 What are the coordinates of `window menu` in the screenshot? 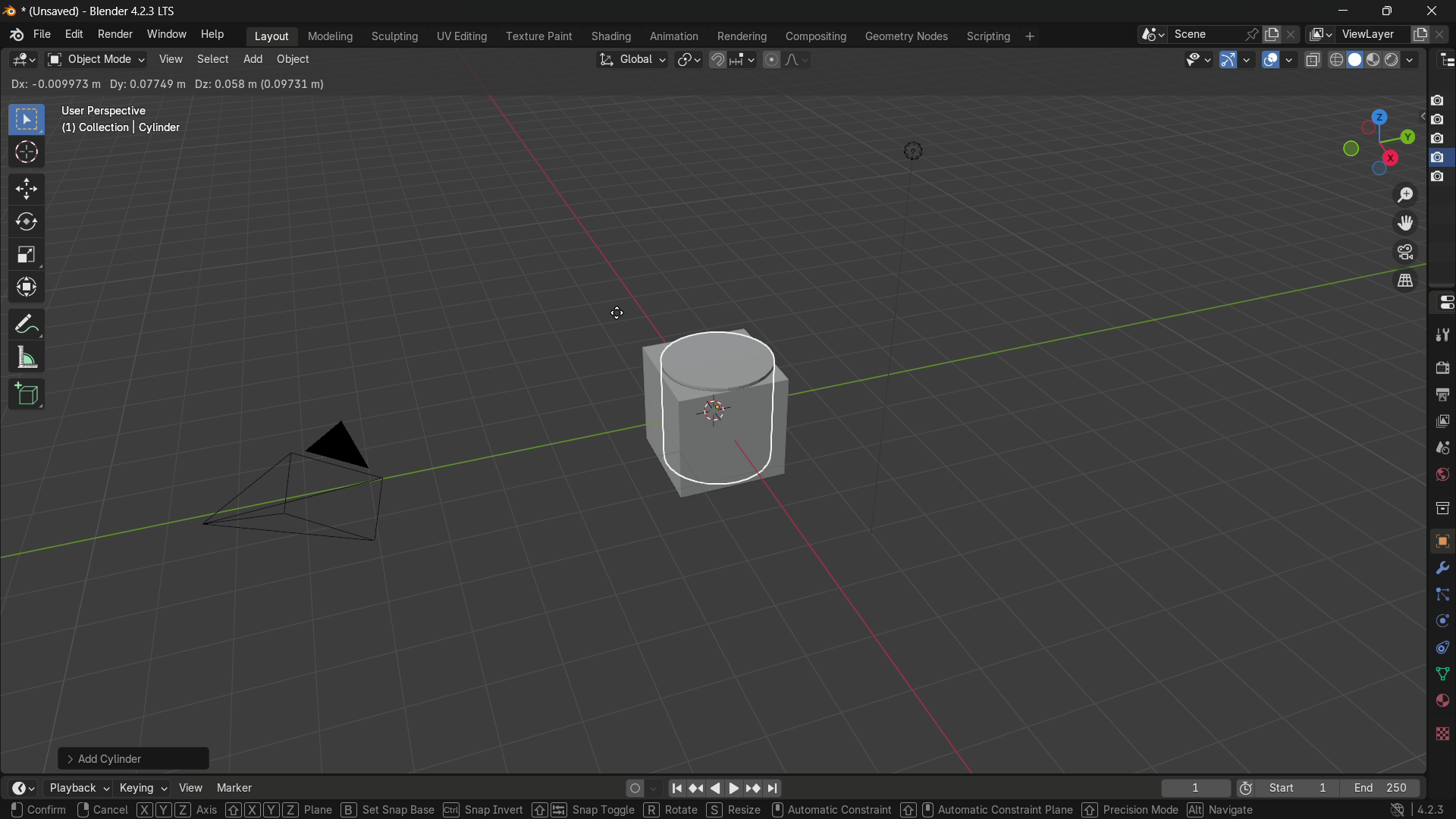 It's located at (168, 35).